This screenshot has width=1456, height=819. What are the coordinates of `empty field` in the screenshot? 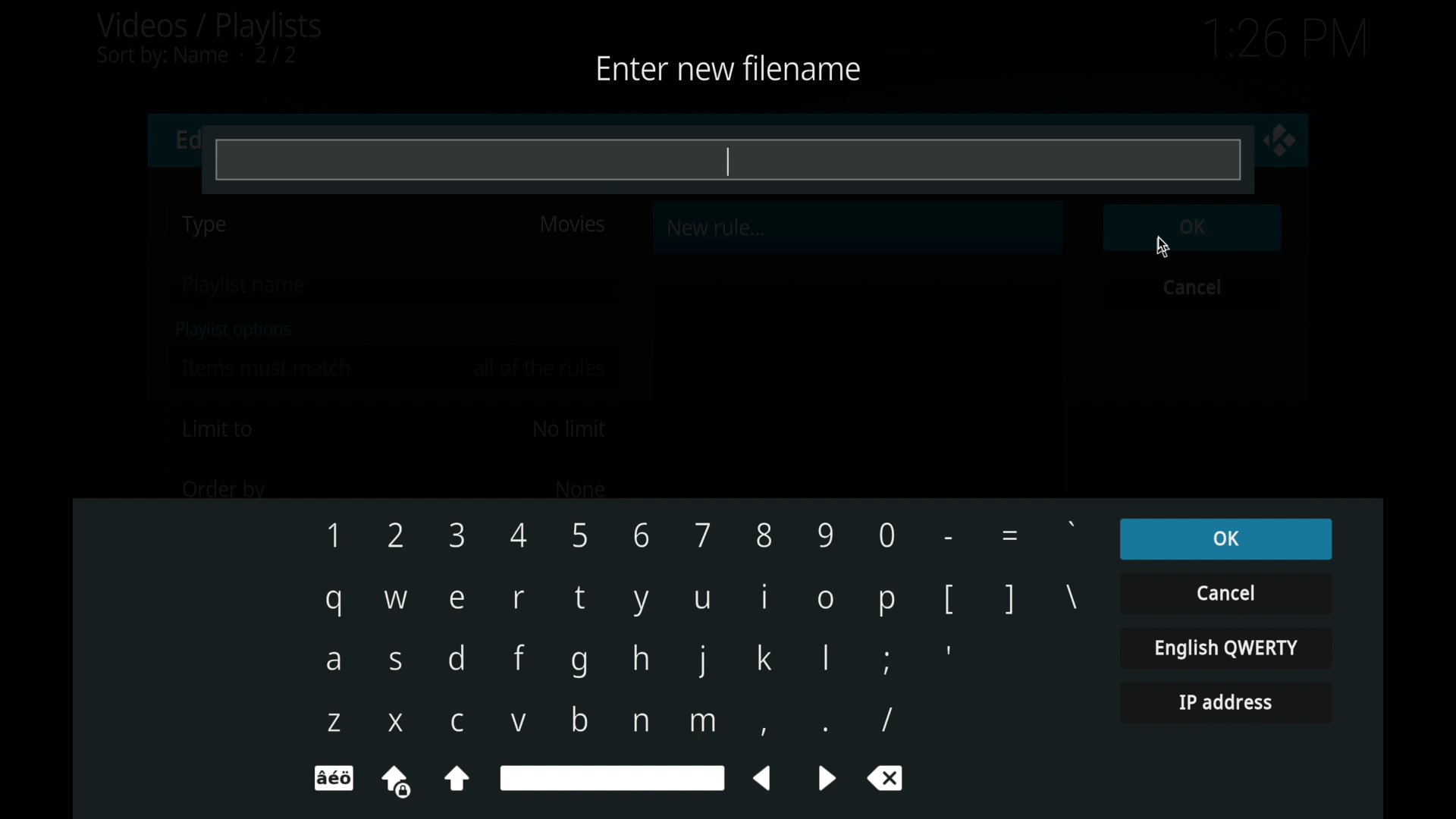 It's located at (716, 157).